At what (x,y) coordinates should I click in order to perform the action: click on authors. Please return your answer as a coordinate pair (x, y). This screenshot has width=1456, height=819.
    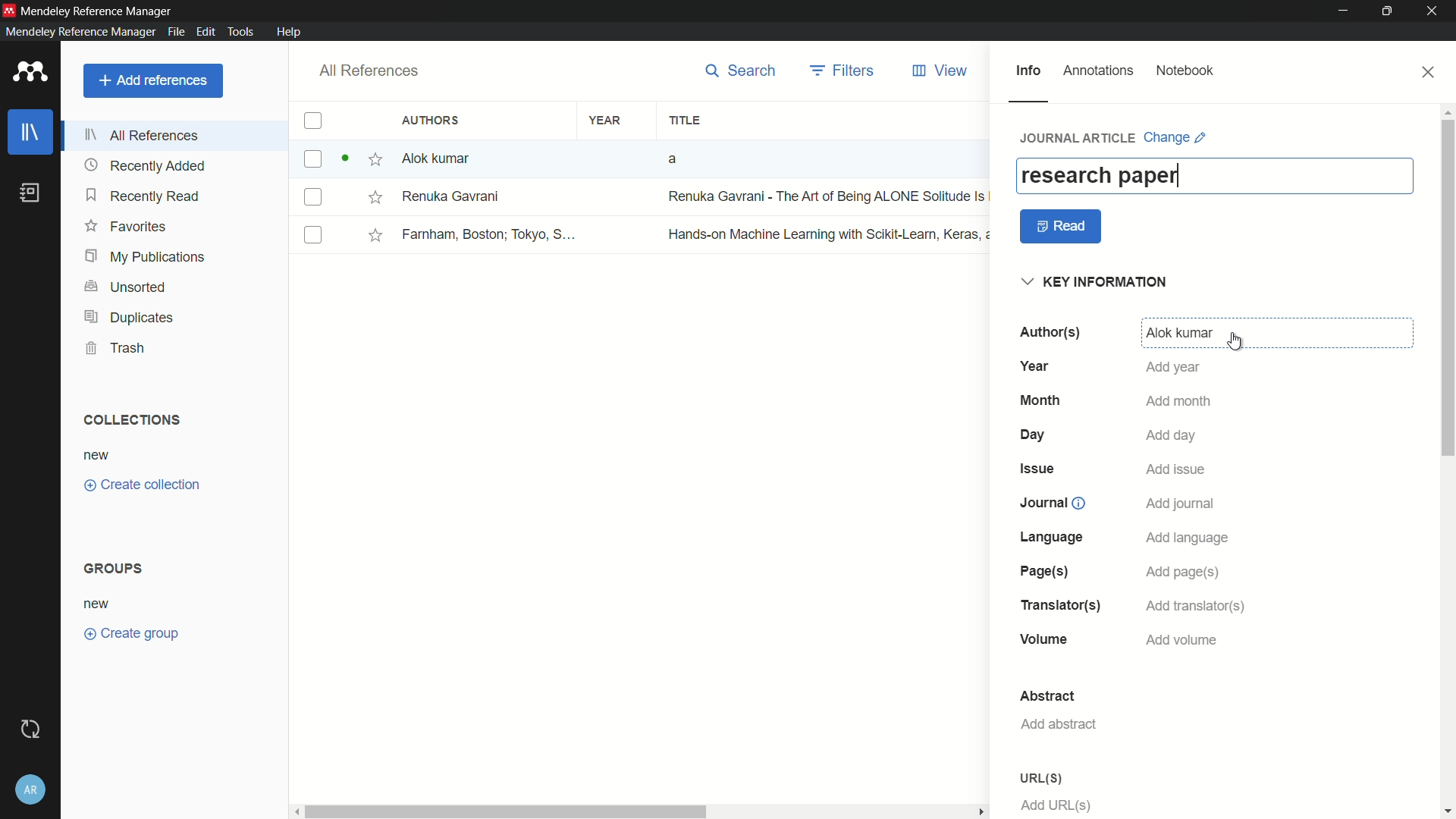
    Looking at the image, I should click on (433, 120).